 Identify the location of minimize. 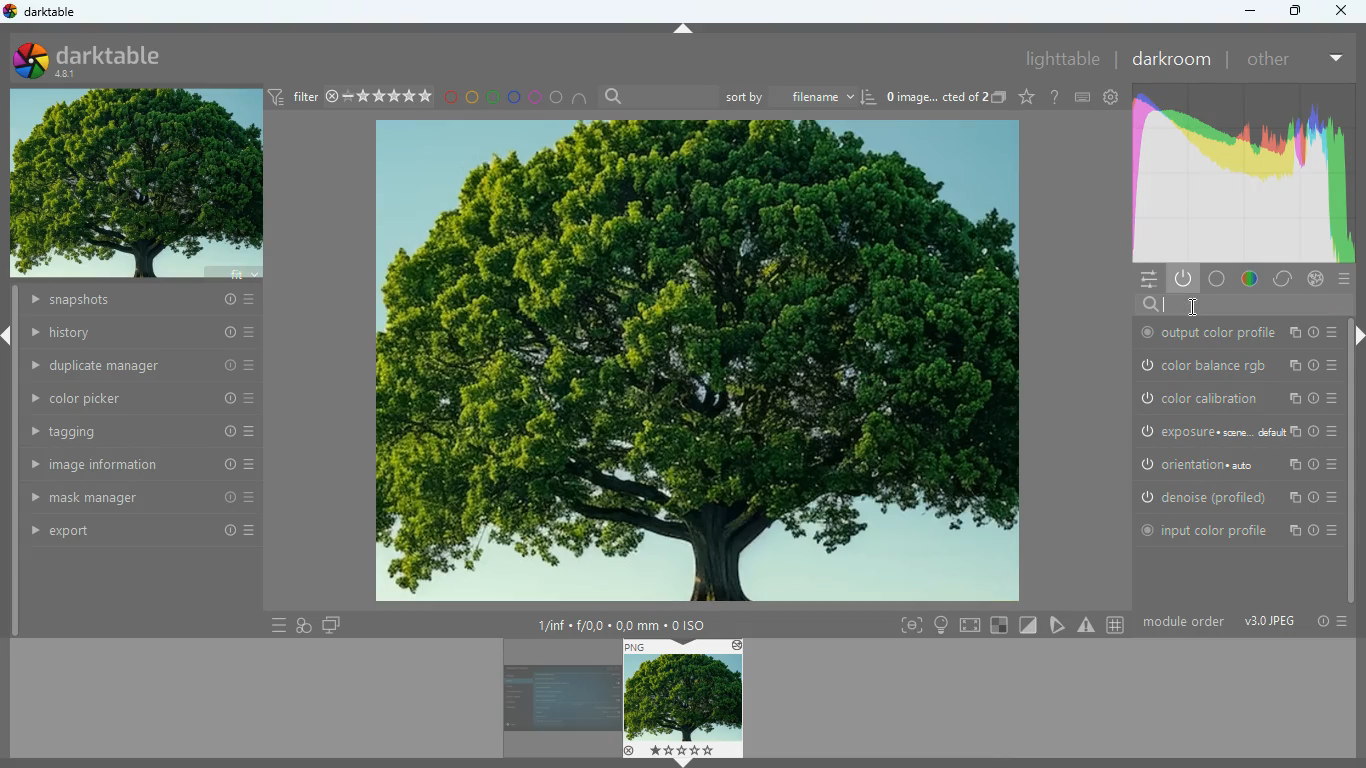
(1247, 10).